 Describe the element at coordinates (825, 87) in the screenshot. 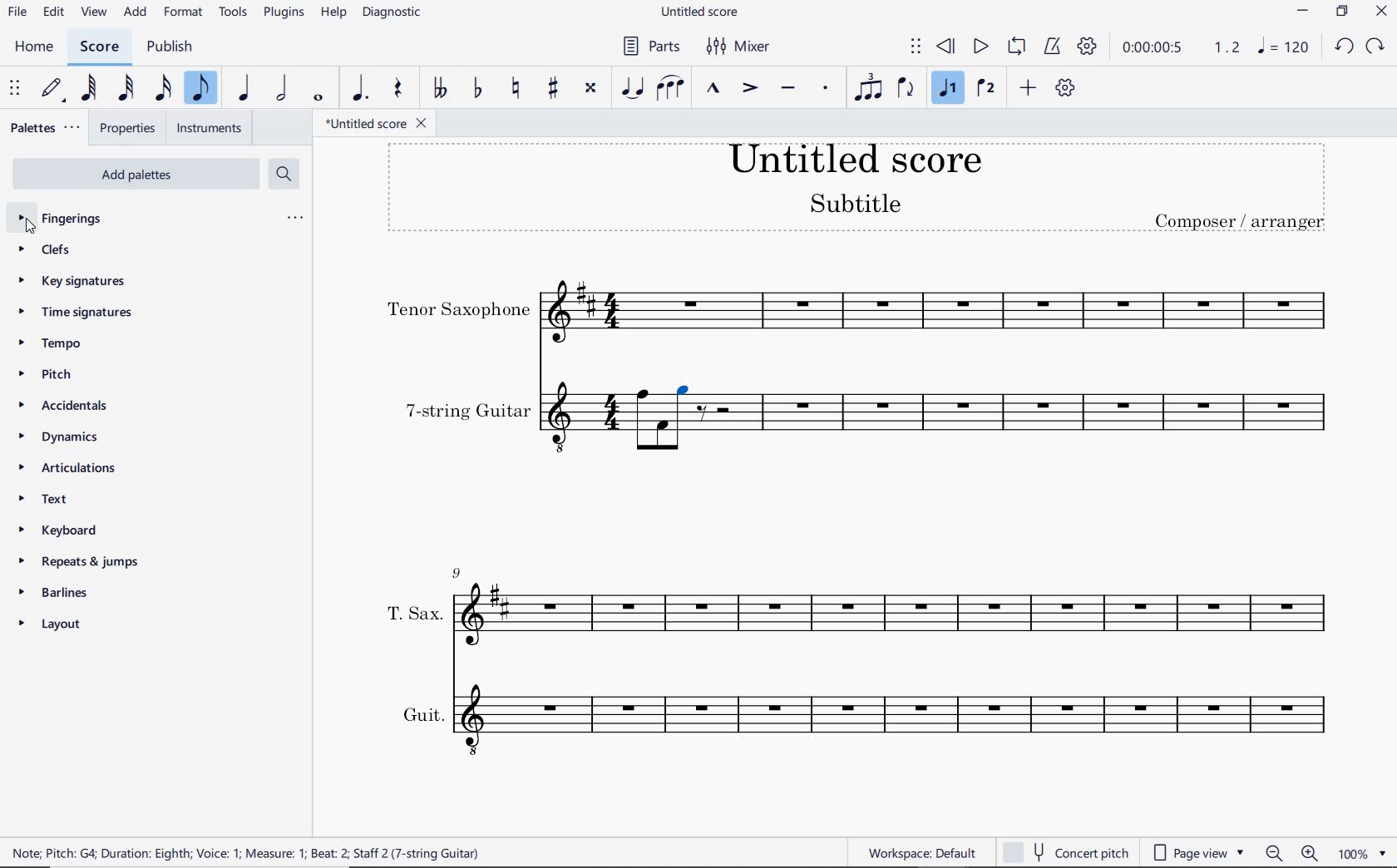

I see `STACCATO` at that location.